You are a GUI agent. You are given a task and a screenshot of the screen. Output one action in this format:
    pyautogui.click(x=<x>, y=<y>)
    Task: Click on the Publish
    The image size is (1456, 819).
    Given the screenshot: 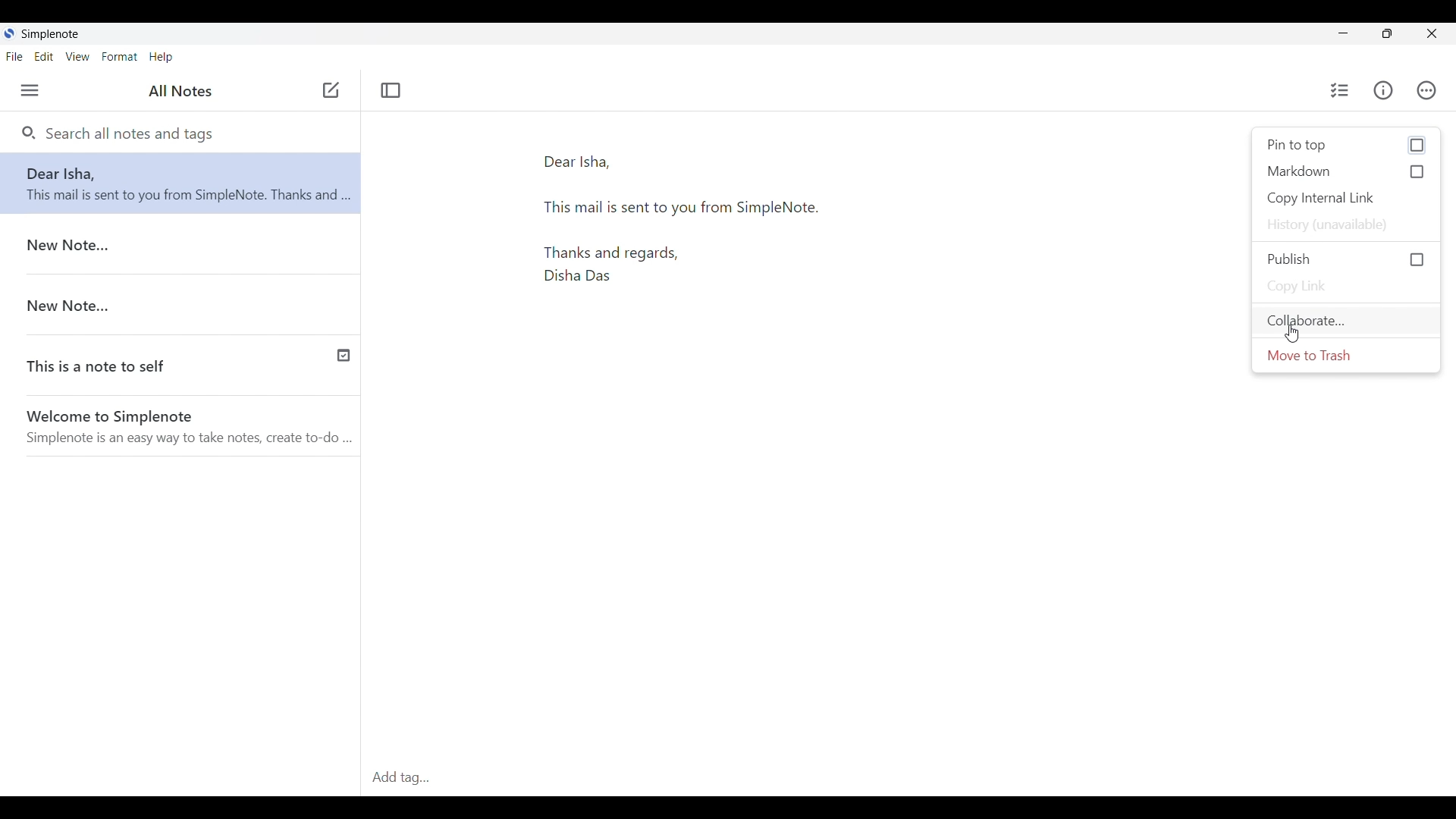 What is the action you would take?
    pyautogui.click(x=1346, y=259)
    